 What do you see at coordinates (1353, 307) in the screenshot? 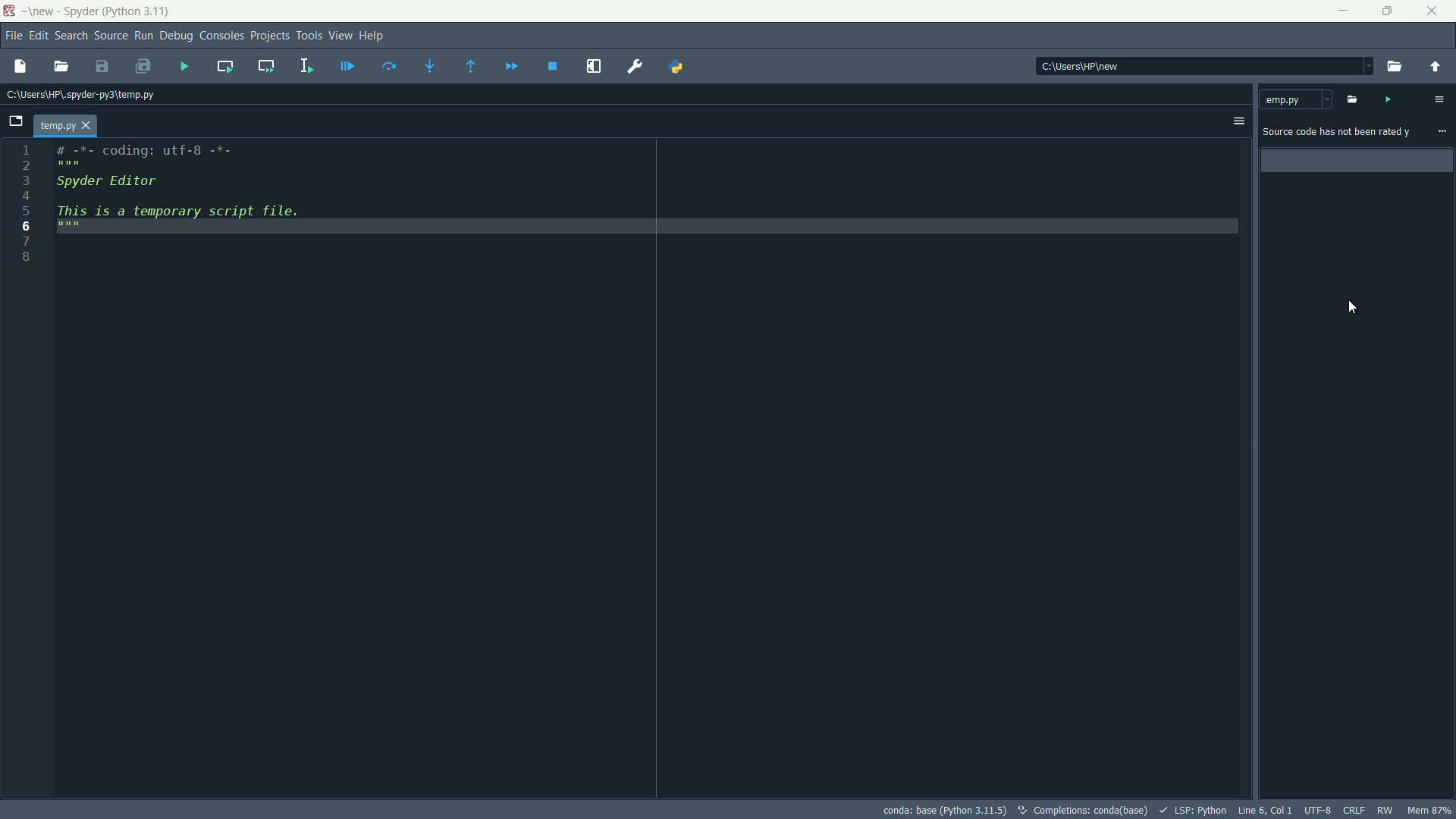
I see `cursor` at bounding box center [1353, 307].